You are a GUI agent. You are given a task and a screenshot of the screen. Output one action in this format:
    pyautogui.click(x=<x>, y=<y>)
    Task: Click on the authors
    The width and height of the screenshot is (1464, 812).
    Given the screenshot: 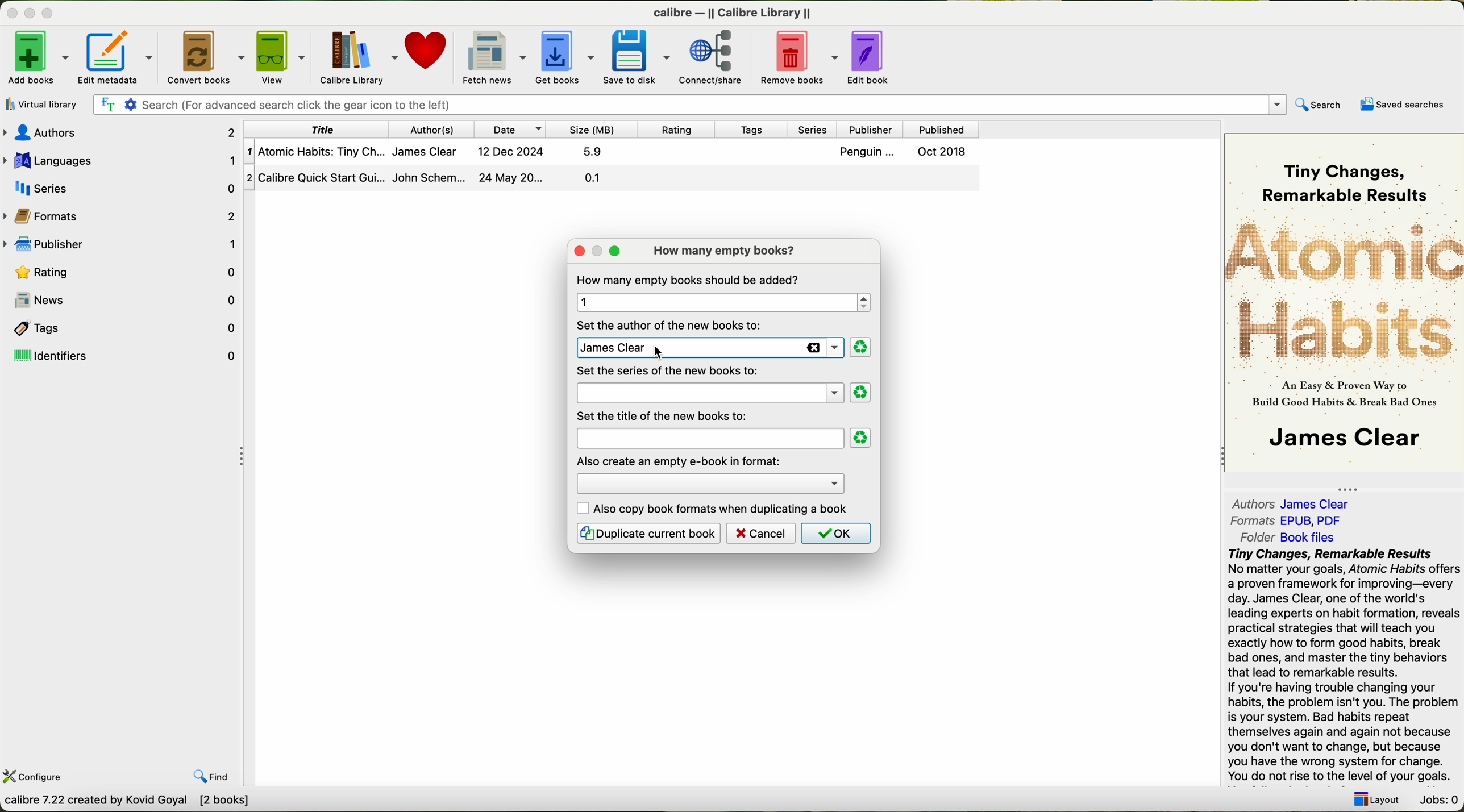 What is the action you would take?
    pyautogui.click(x=1296, y=503)
    